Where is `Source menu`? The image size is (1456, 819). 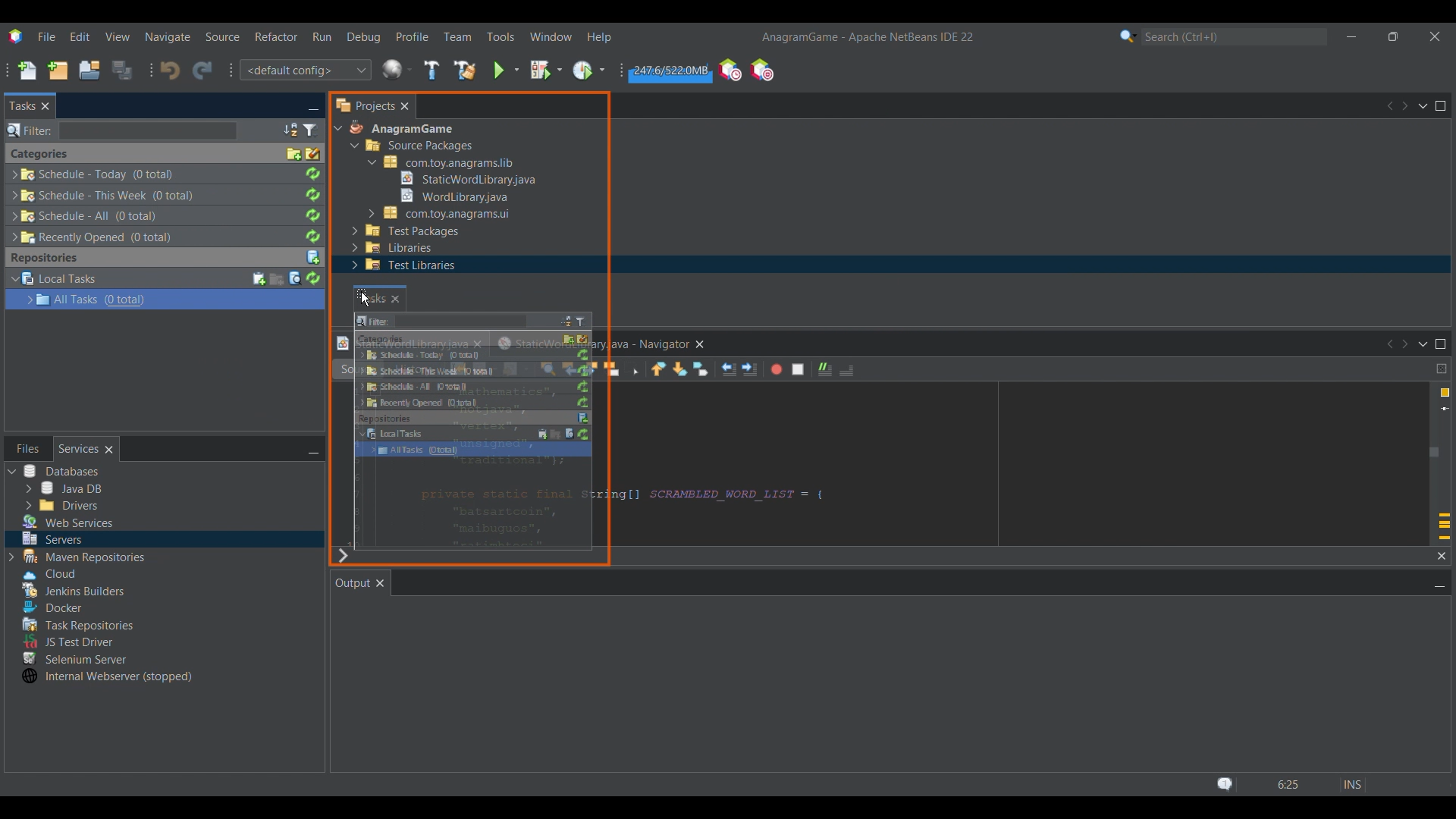 Source menu is located at coordinates (221, 36).